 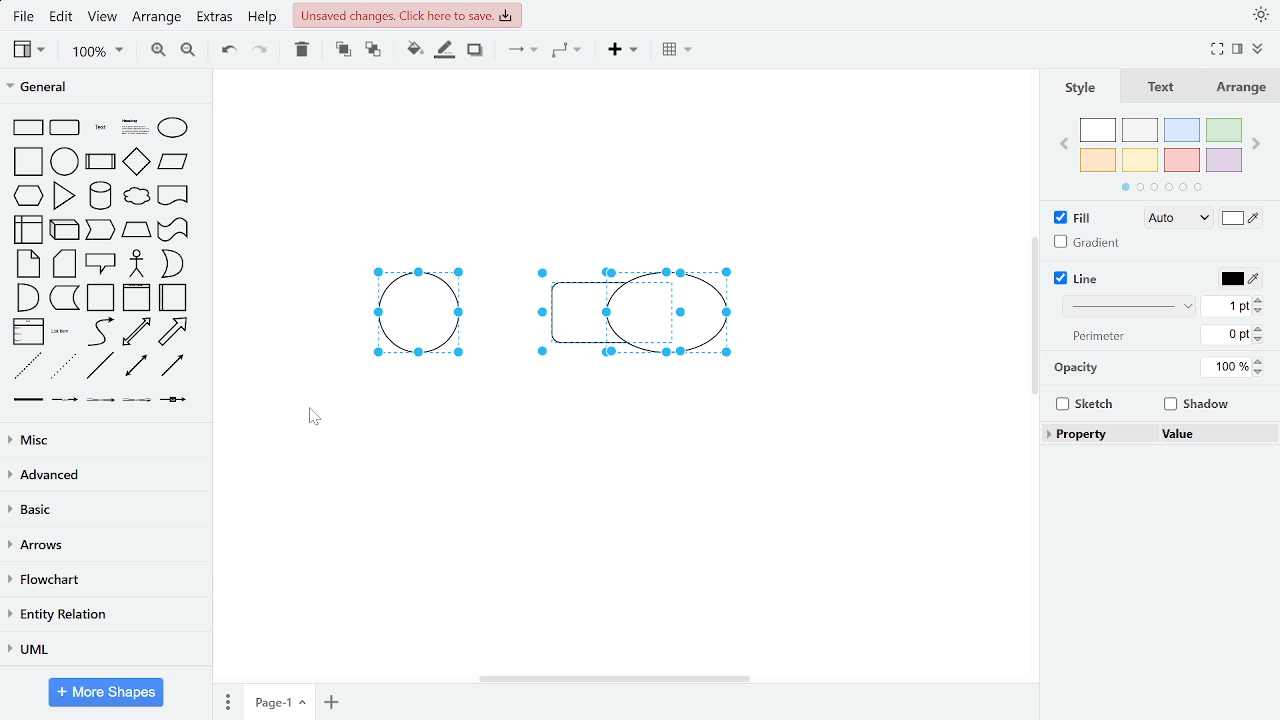 I want to click on Style, so click(x=1081, y=87).